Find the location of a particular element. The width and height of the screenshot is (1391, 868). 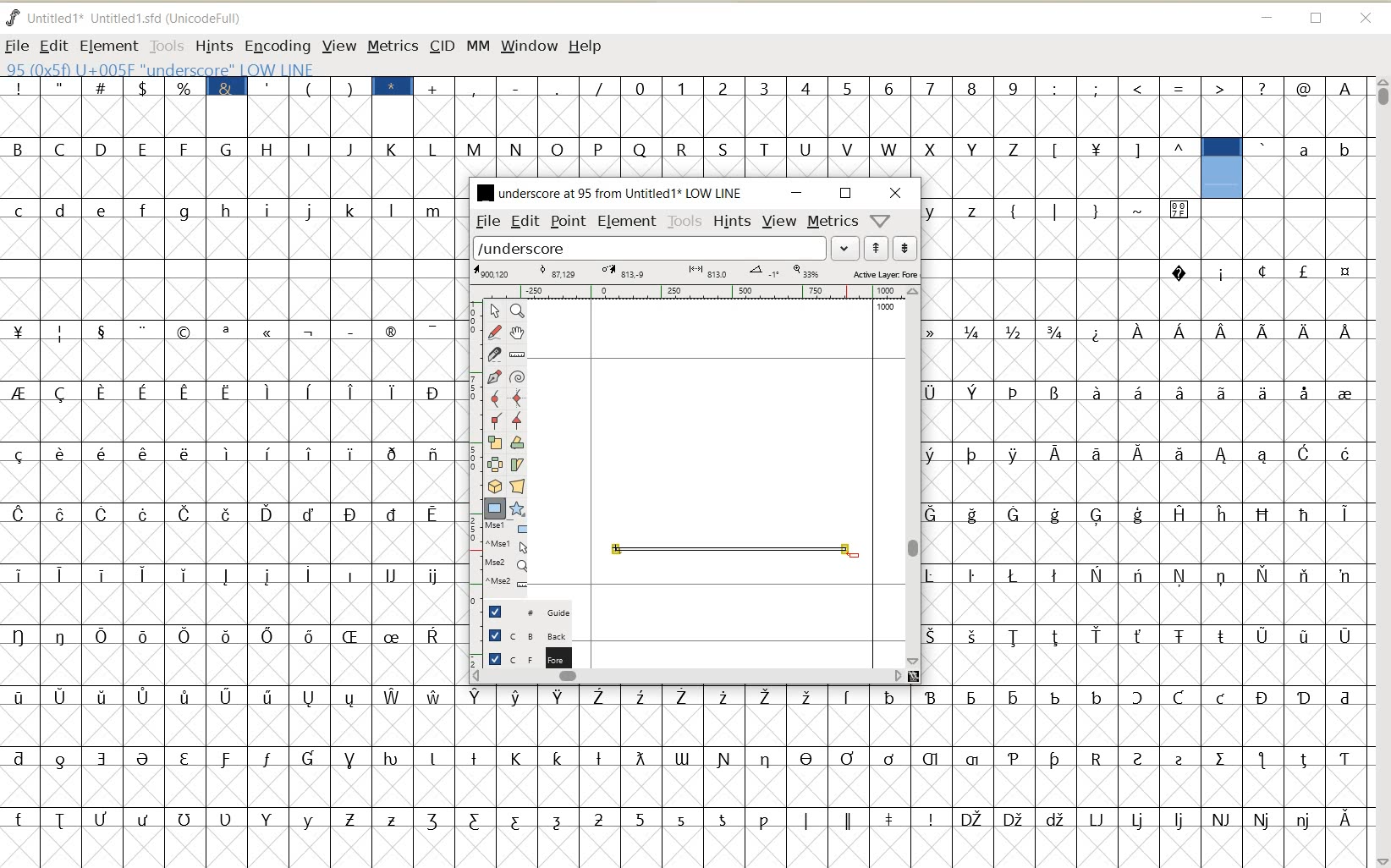

EDIT is located at coordinates (525, 221).